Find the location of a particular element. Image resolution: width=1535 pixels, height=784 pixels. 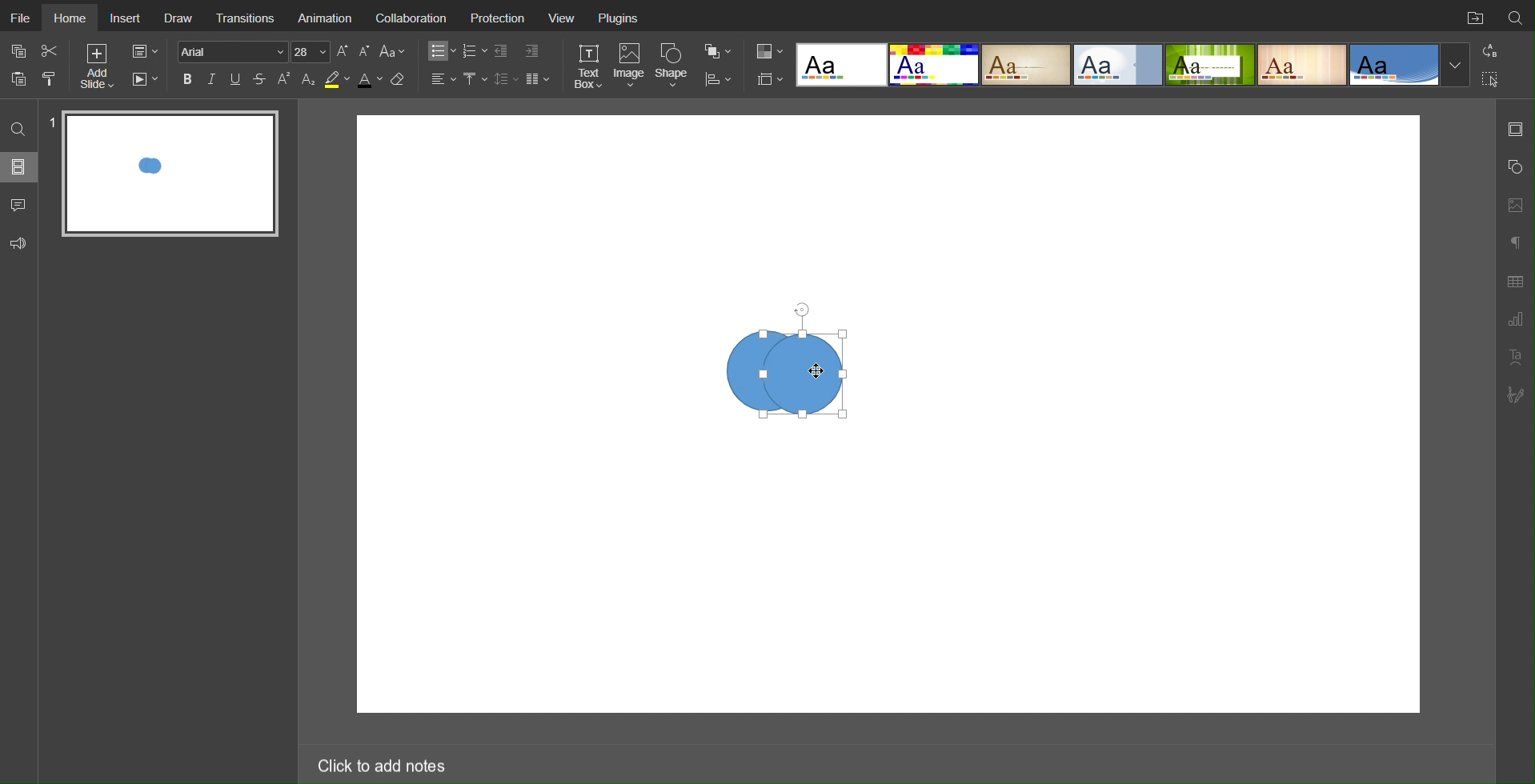

Font Size is located at coordinates (353, 51).